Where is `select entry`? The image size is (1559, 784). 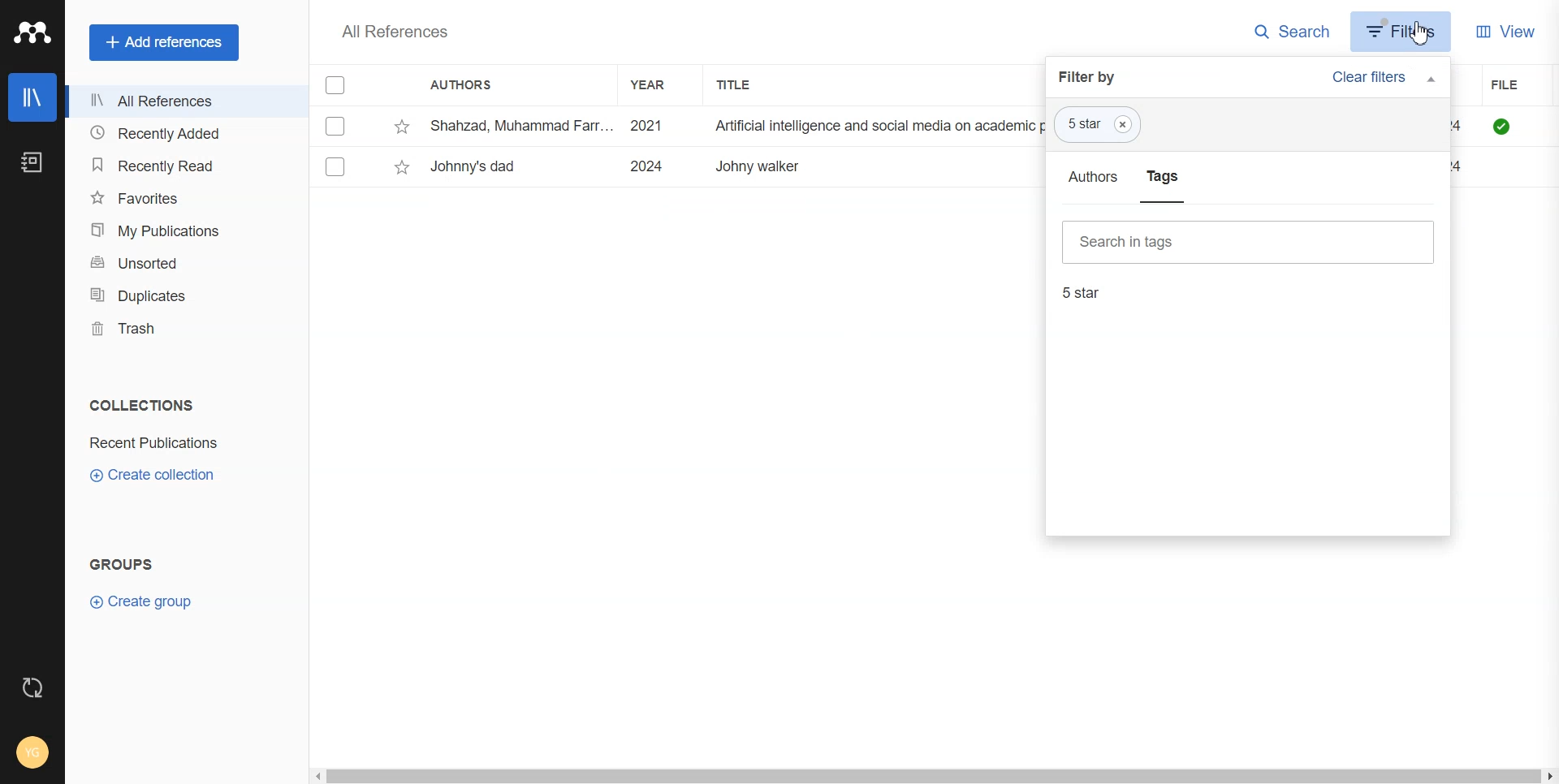
select entry is located at coordinates (335, 127).